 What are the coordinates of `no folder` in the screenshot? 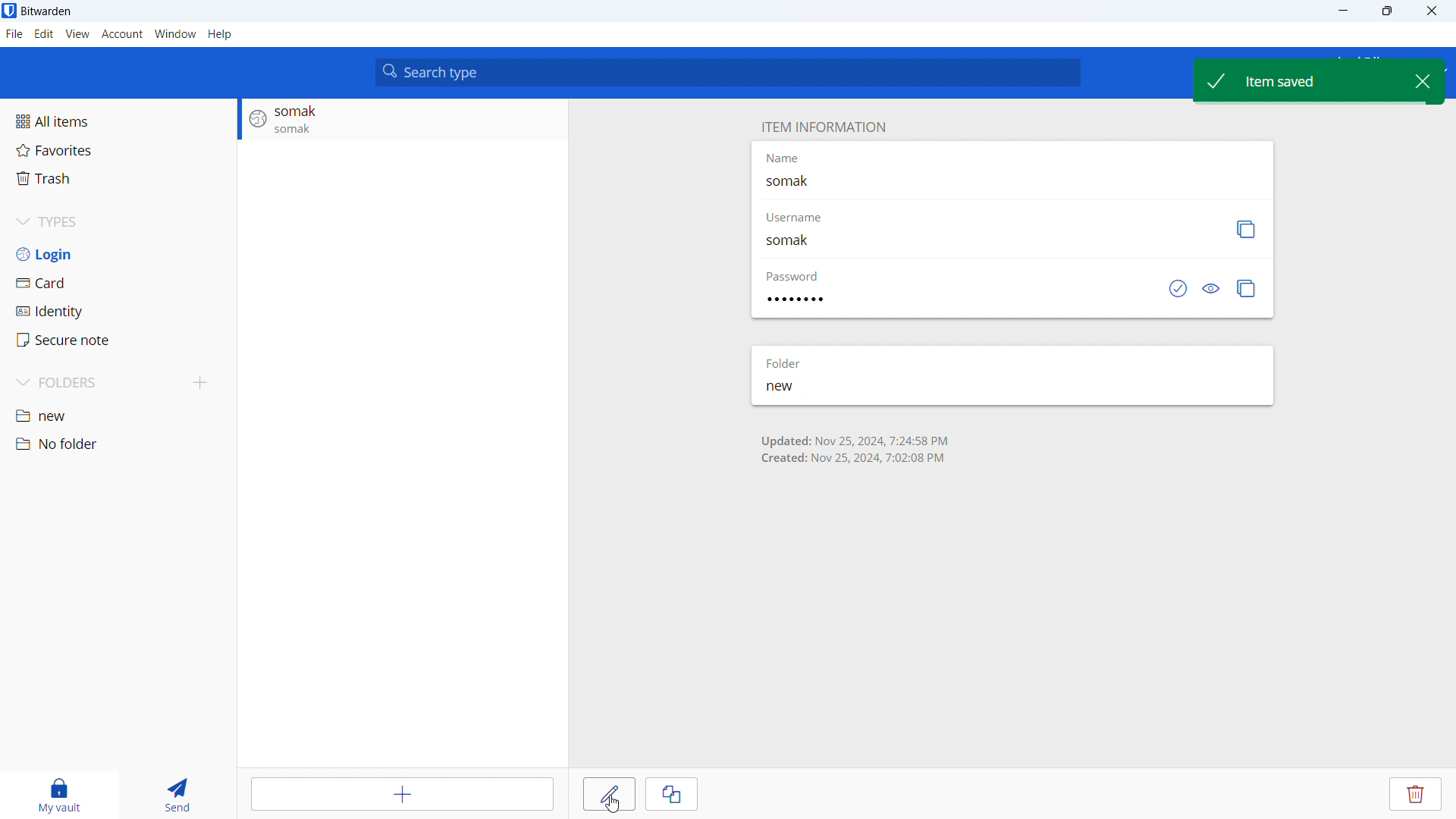 It's located at (118, 444).